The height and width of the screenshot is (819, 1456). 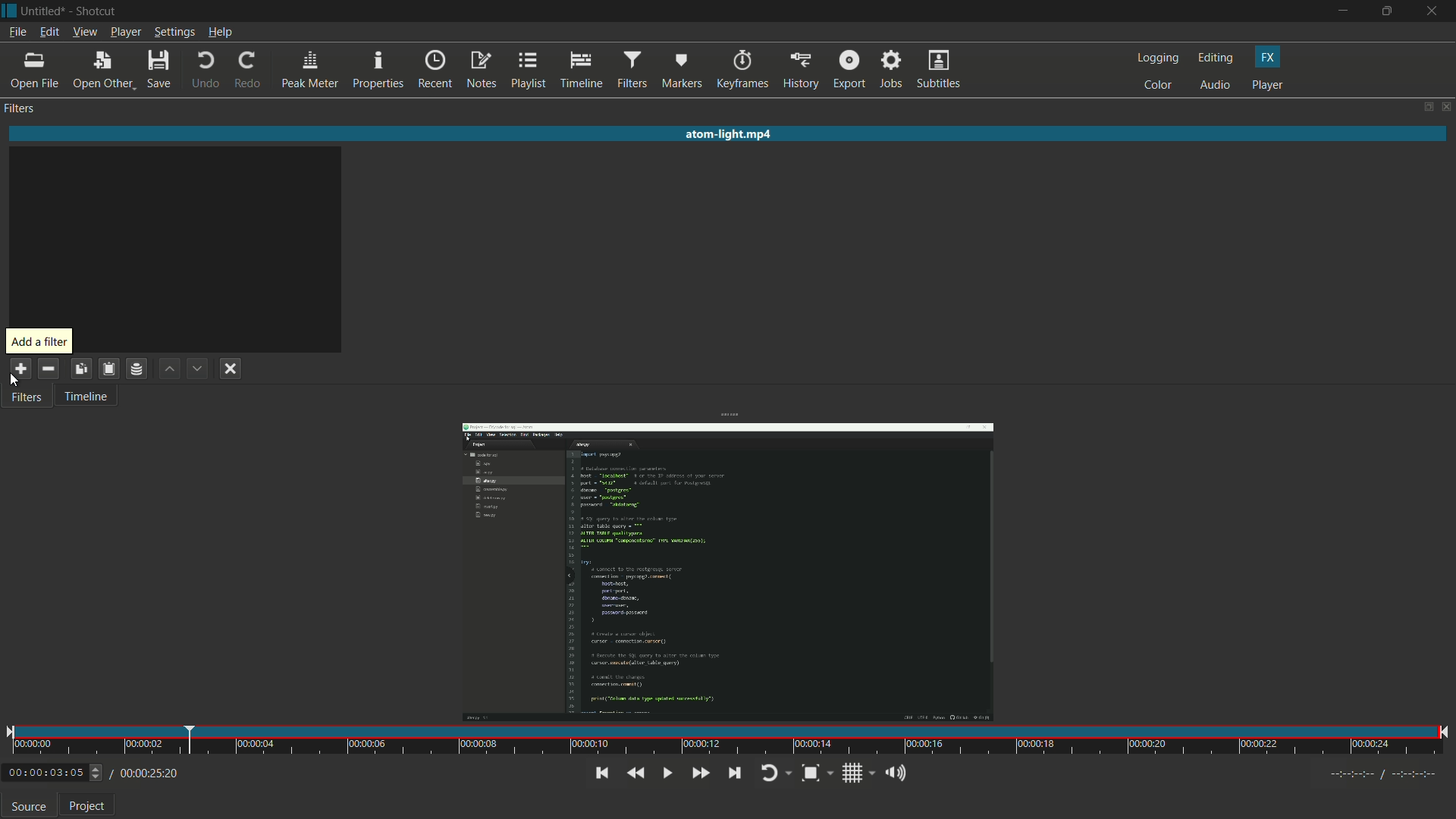 I want to click on color, so click(x=1159, y=86).